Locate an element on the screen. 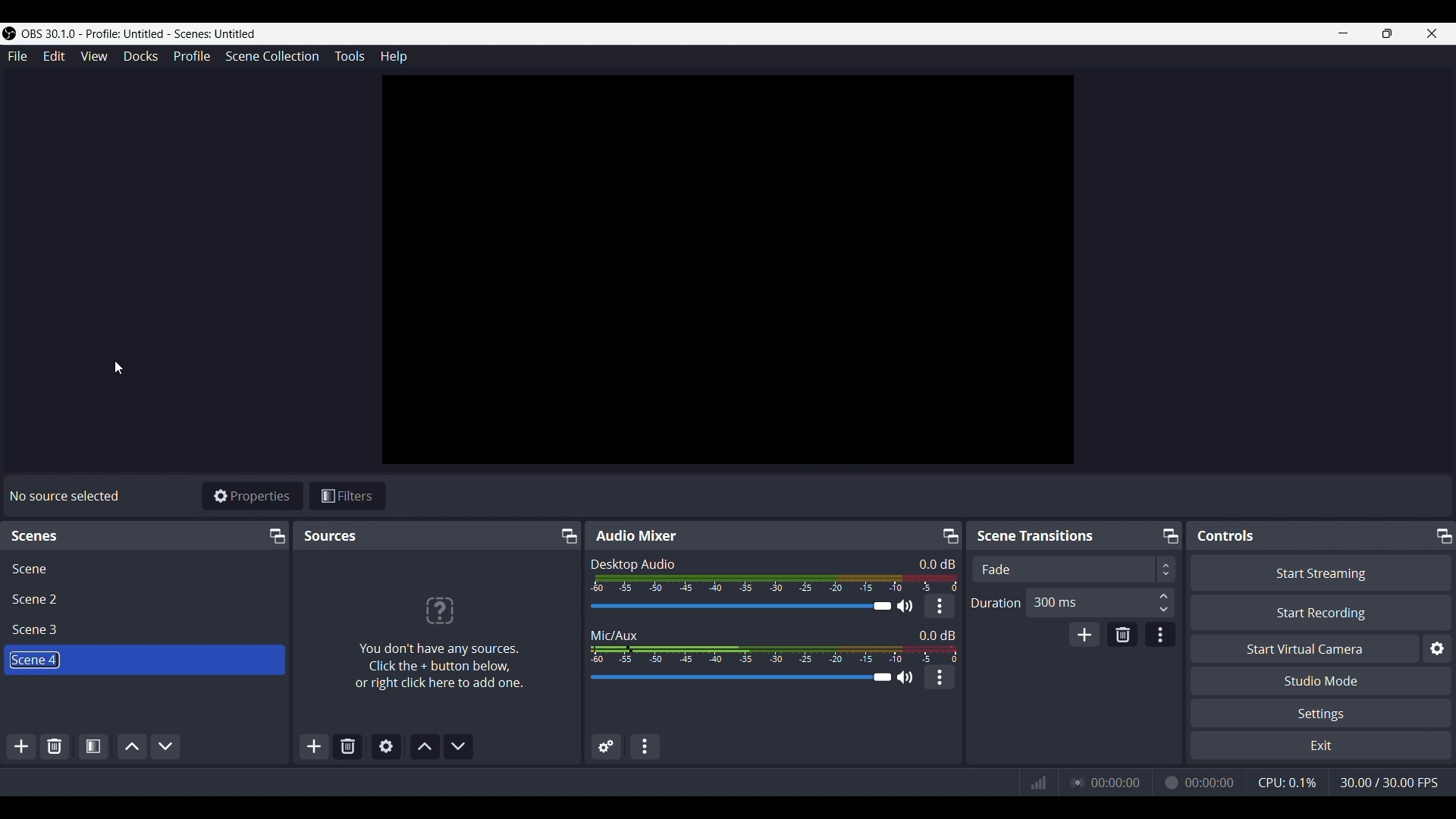  Mic/Aux is located at coordinates (614, 634).